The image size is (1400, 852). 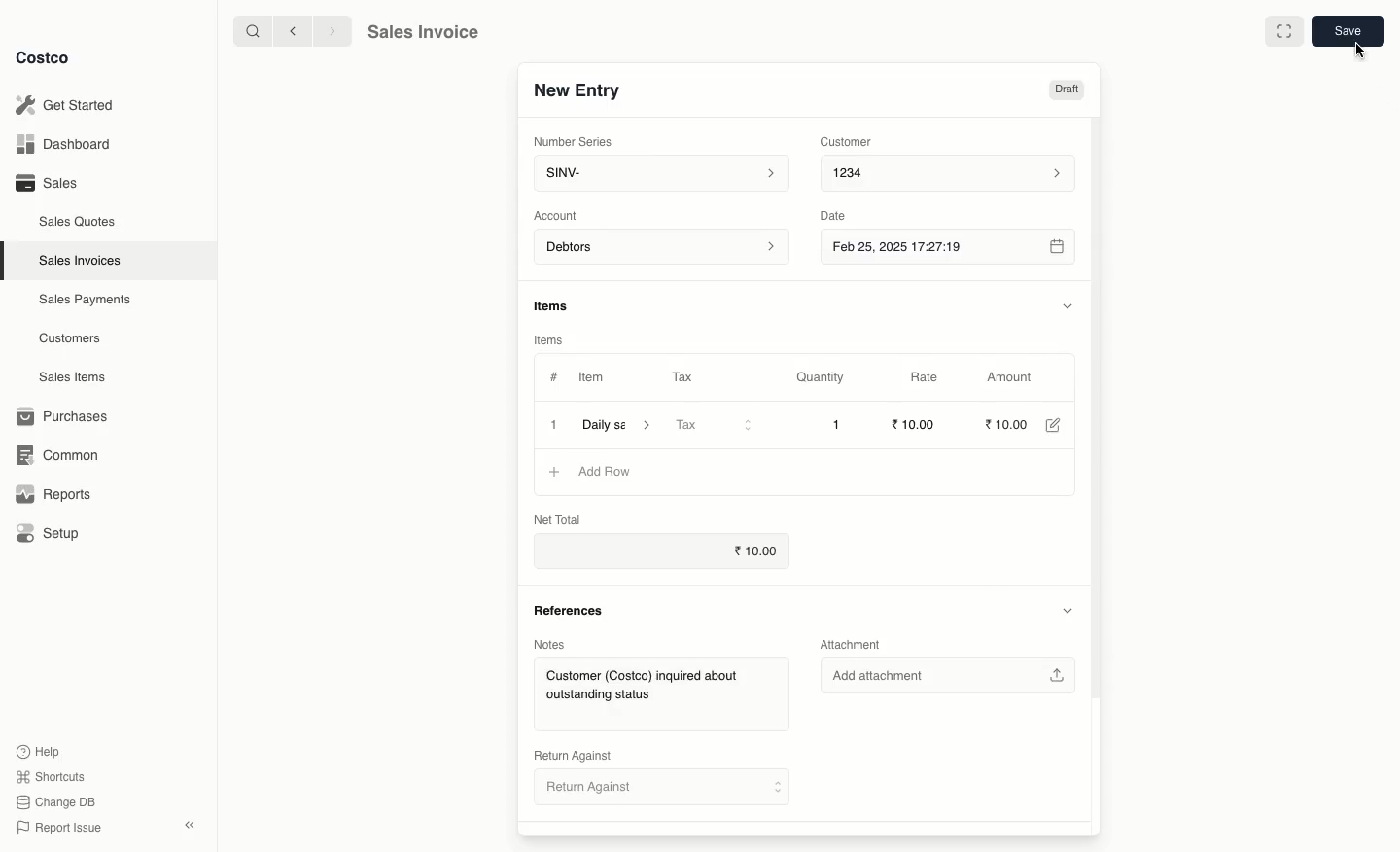 I want to click on Shortcuts, so click(x=52, y=775).